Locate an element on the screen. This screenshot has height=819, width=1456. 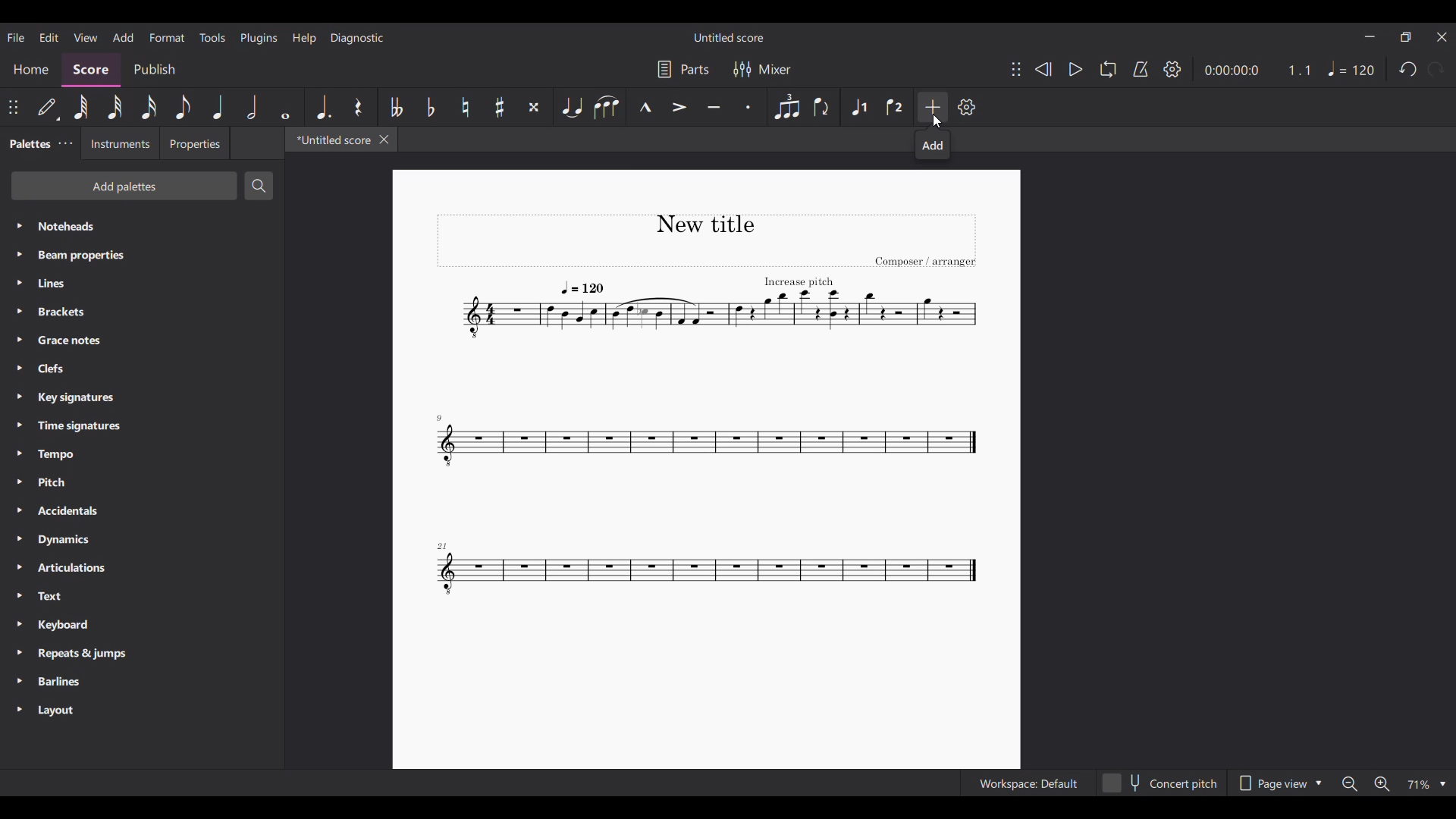
Score, current section highlighted is located at coordinates (91, 70).